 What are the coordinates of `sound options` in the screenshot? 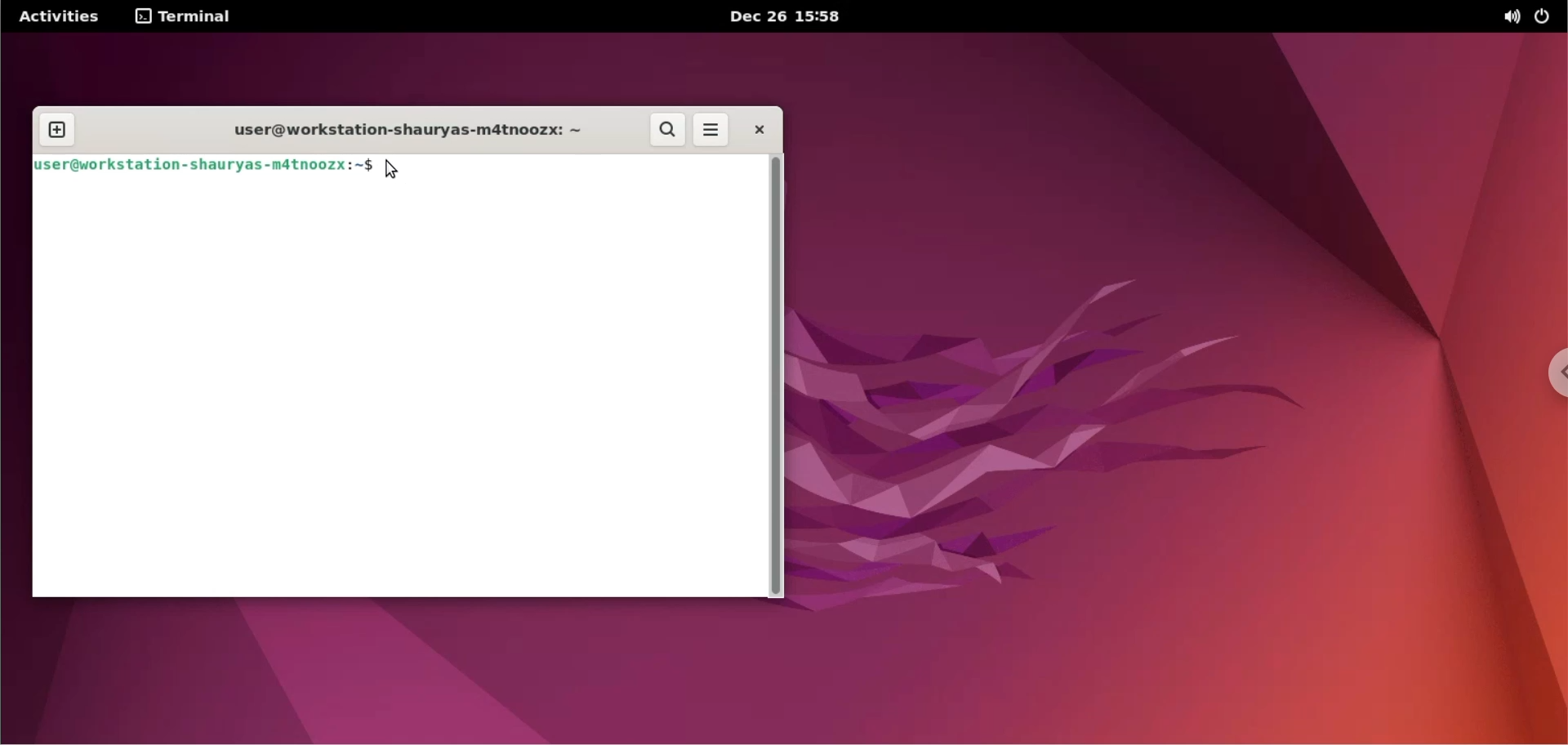 It's located at (1516, 16).